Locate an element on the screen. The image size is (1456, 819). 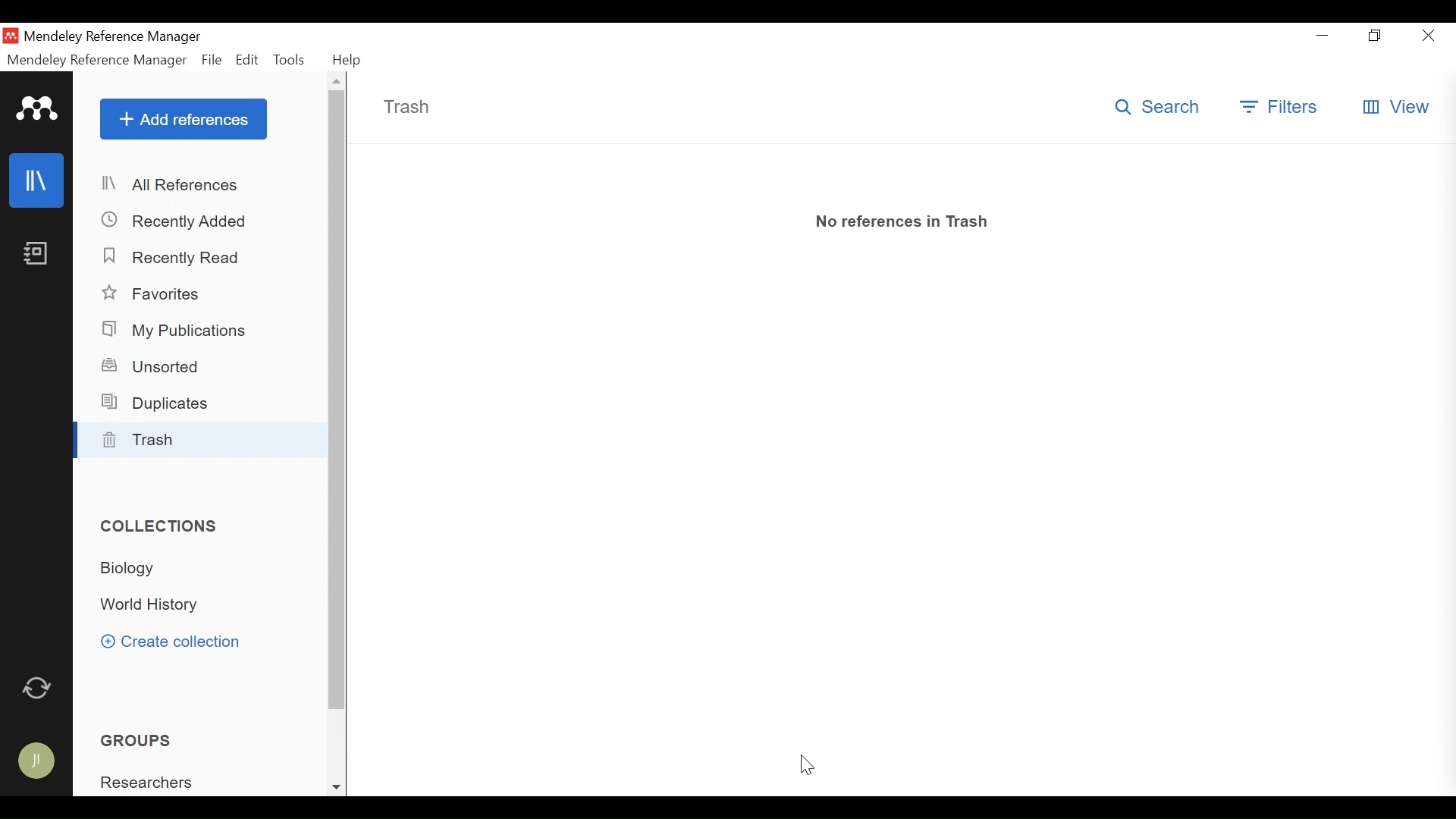
Scroll down is located at coordinates (334, 787).